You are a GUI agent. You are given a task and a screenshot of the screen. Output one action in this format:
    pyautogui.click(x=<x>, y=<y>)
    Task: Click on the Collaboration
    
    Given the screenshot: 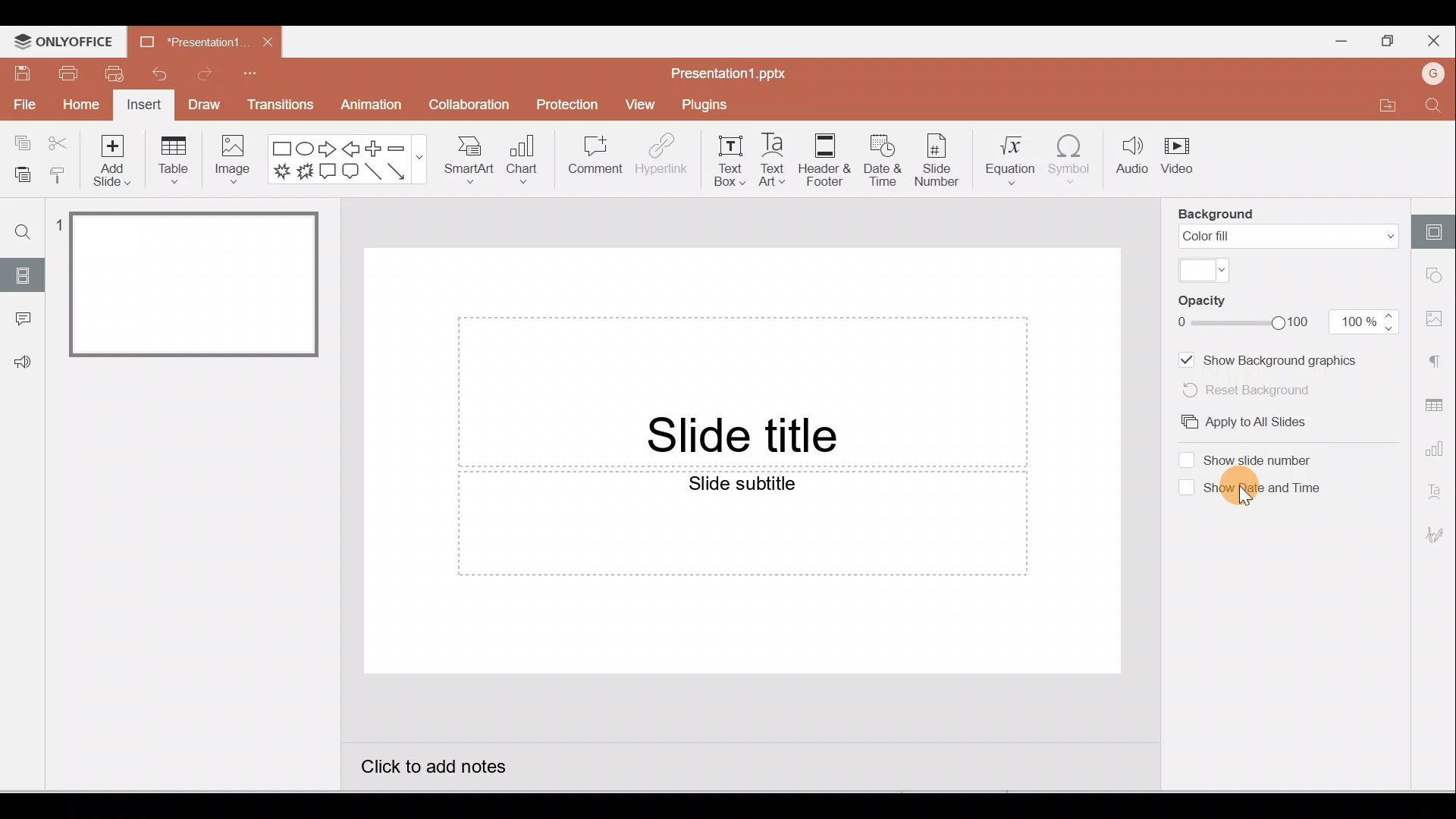 What is the action you would take?
    pyautogui.click(x=478, y=103)
    